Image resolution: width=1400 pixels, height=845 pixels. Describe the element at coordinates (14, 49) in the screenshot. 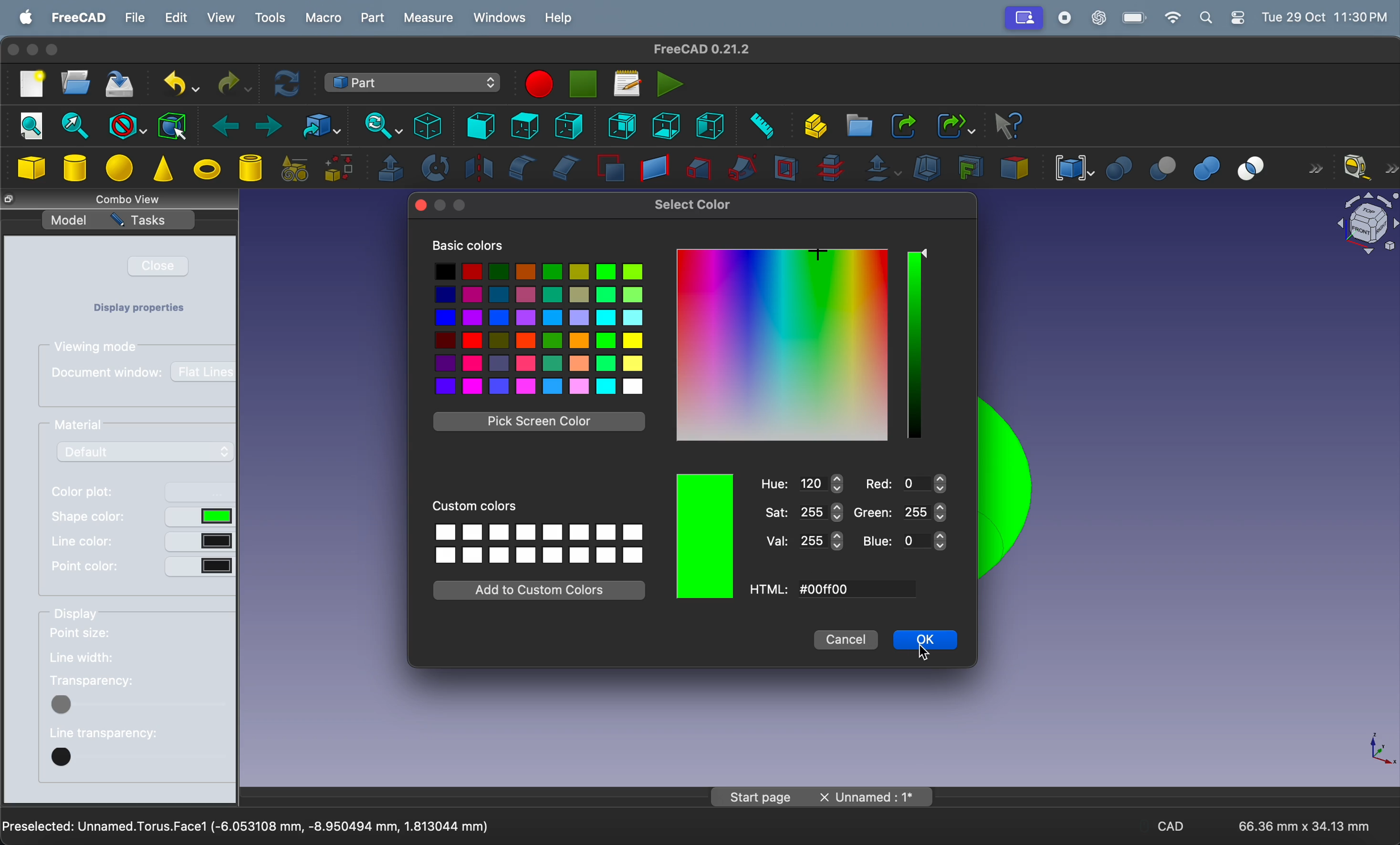

I see `closing window` at that location.